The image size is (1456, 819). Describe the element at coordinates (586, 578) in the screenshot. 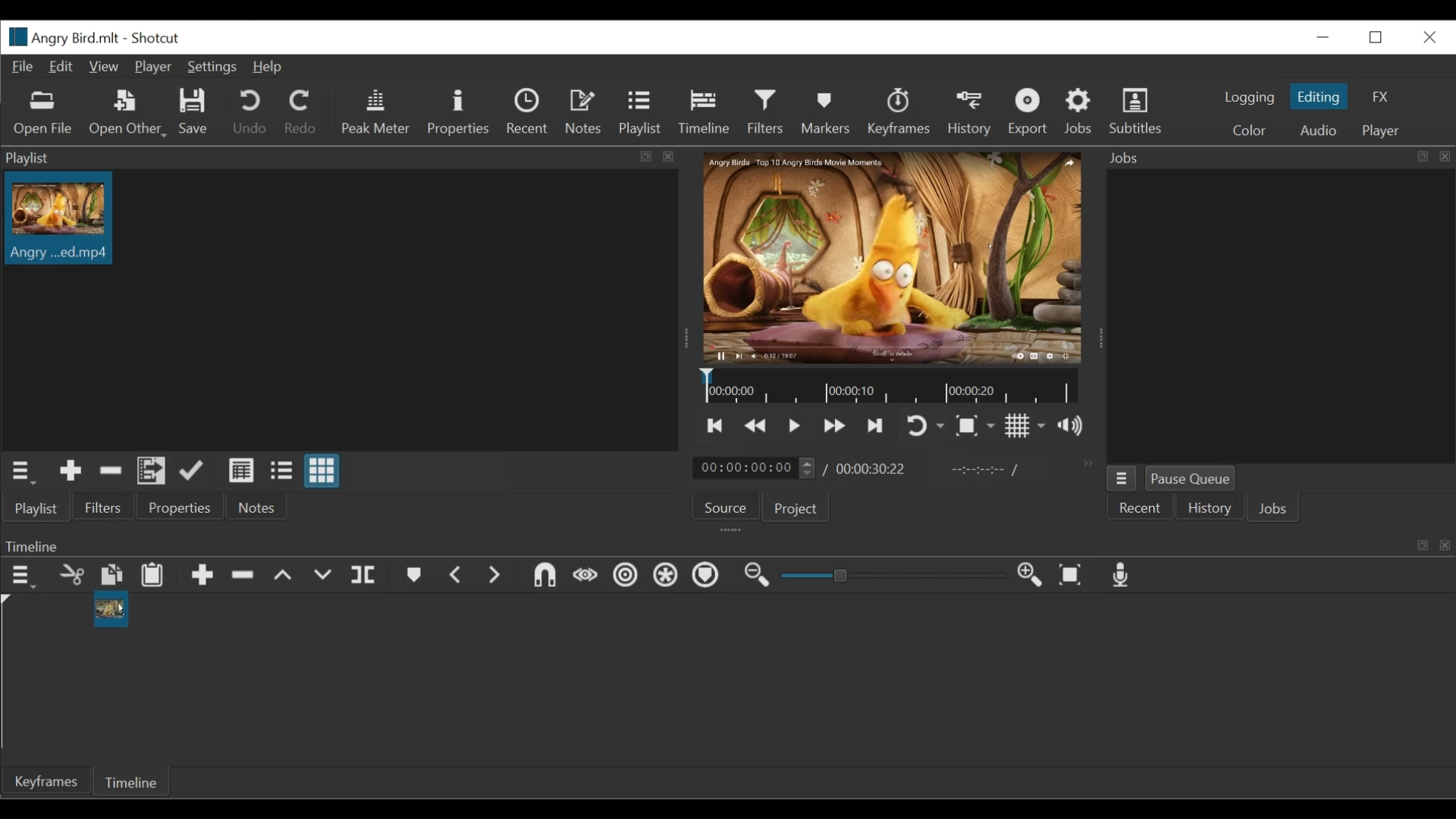

I see `Scrub while dragging` at that location.